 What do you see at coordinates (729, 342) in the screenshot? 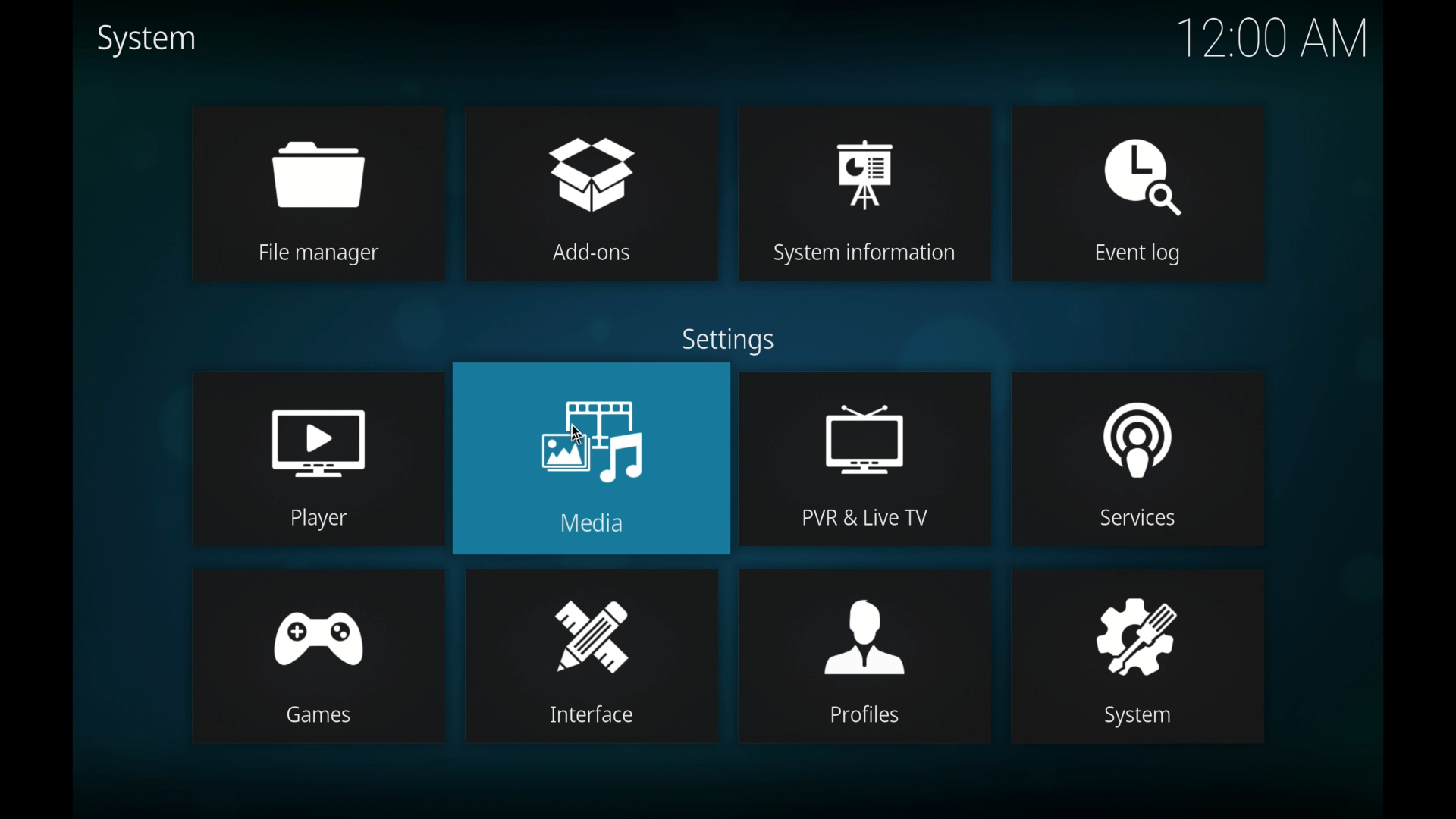
I see `settings` at bounding box center [729, 342].